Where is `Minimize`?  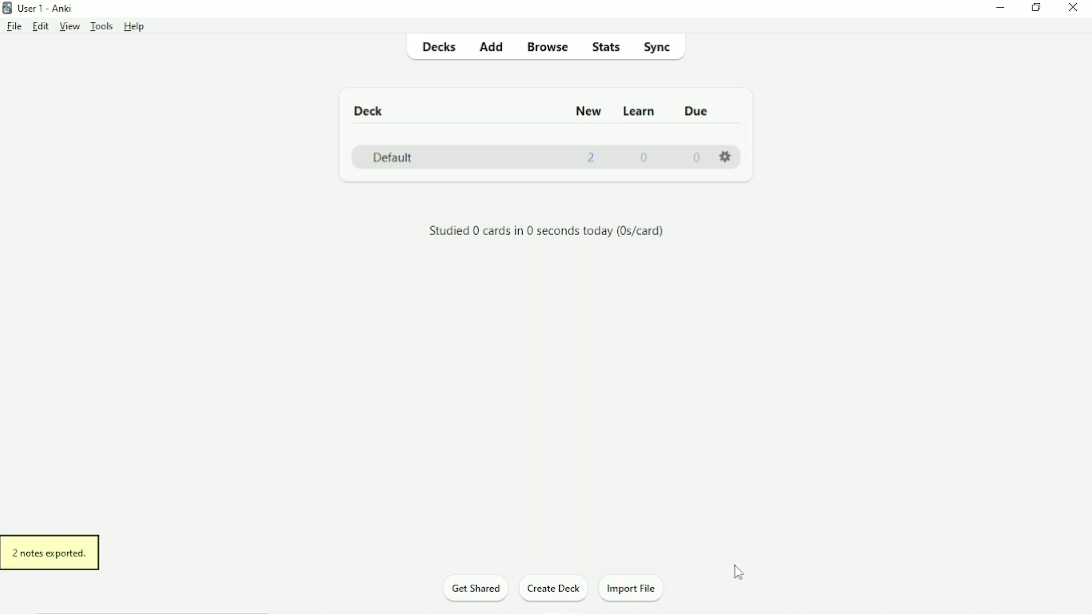 Minimize is located at coordinates (998, 8).